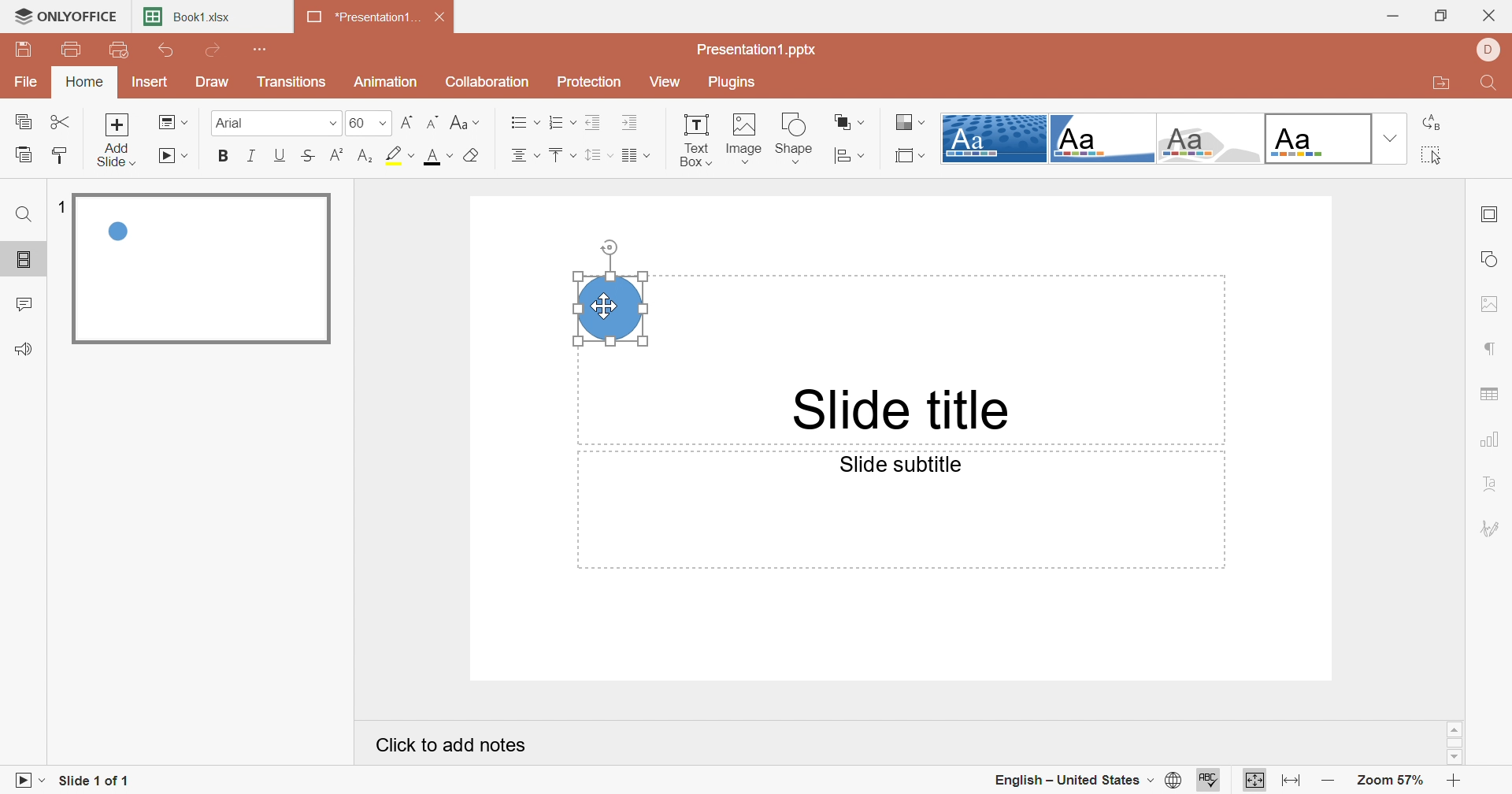  I want to click on Turtle, so click(1210, 139).